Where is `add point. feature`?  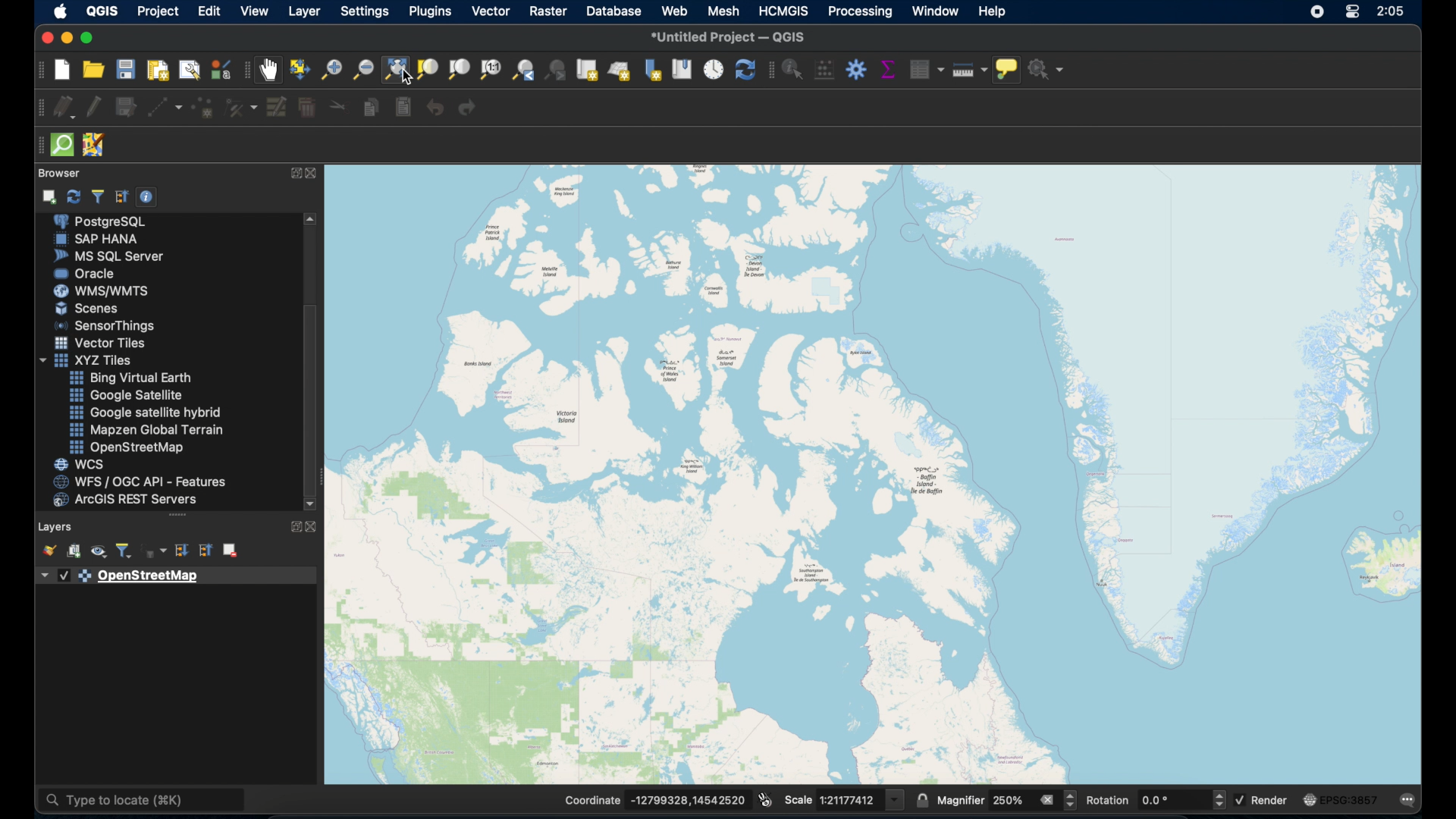
add point. feature is located at coordinates (203, 107).